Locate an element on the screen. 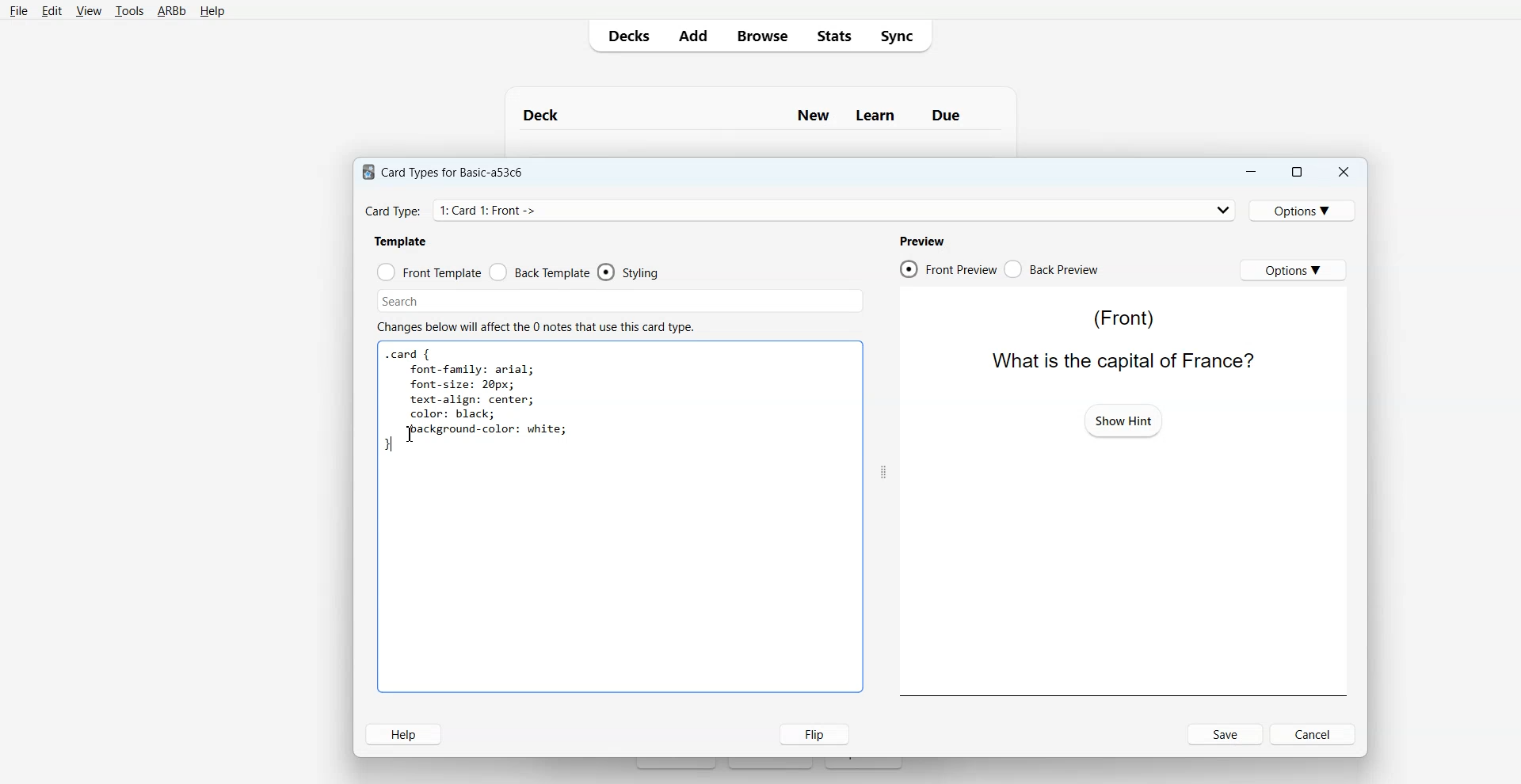 Image resolution: width=1521 pixels, height=784 pixels. Add is located at coordinates (692, 36).